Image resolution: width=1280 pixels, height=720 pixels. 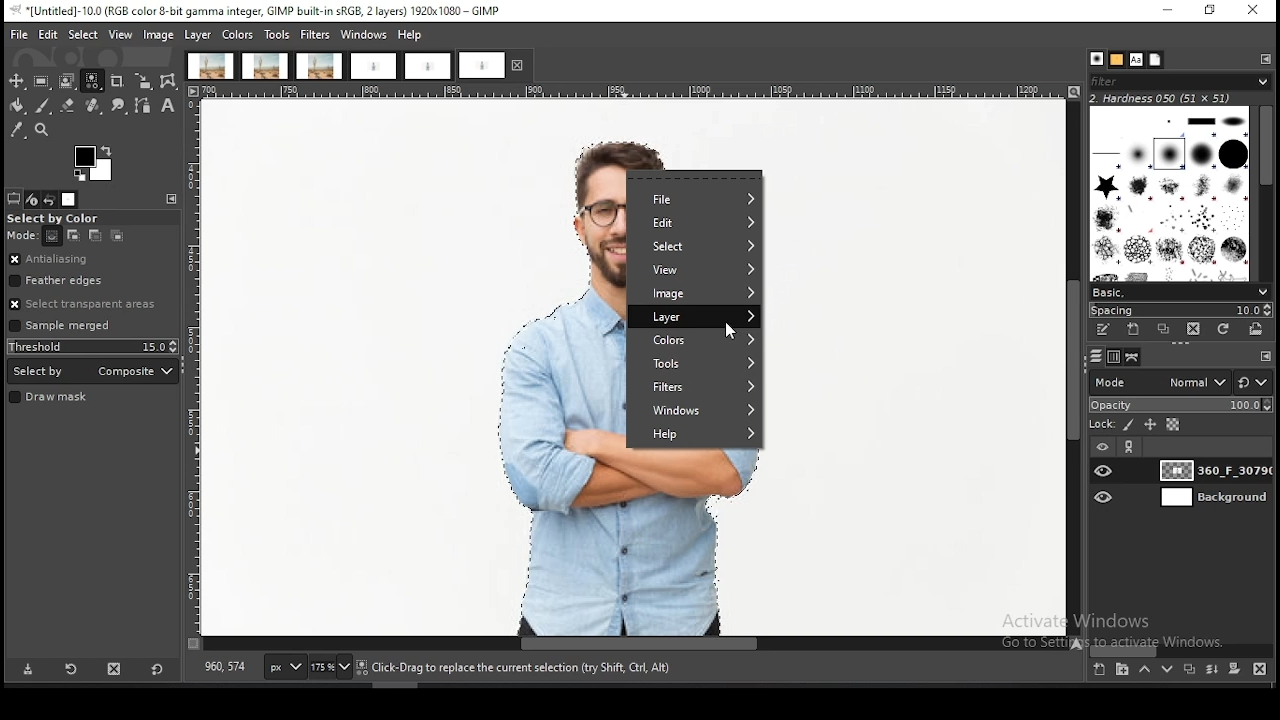 I want to click on sample merged, so click(x=60, y=327).